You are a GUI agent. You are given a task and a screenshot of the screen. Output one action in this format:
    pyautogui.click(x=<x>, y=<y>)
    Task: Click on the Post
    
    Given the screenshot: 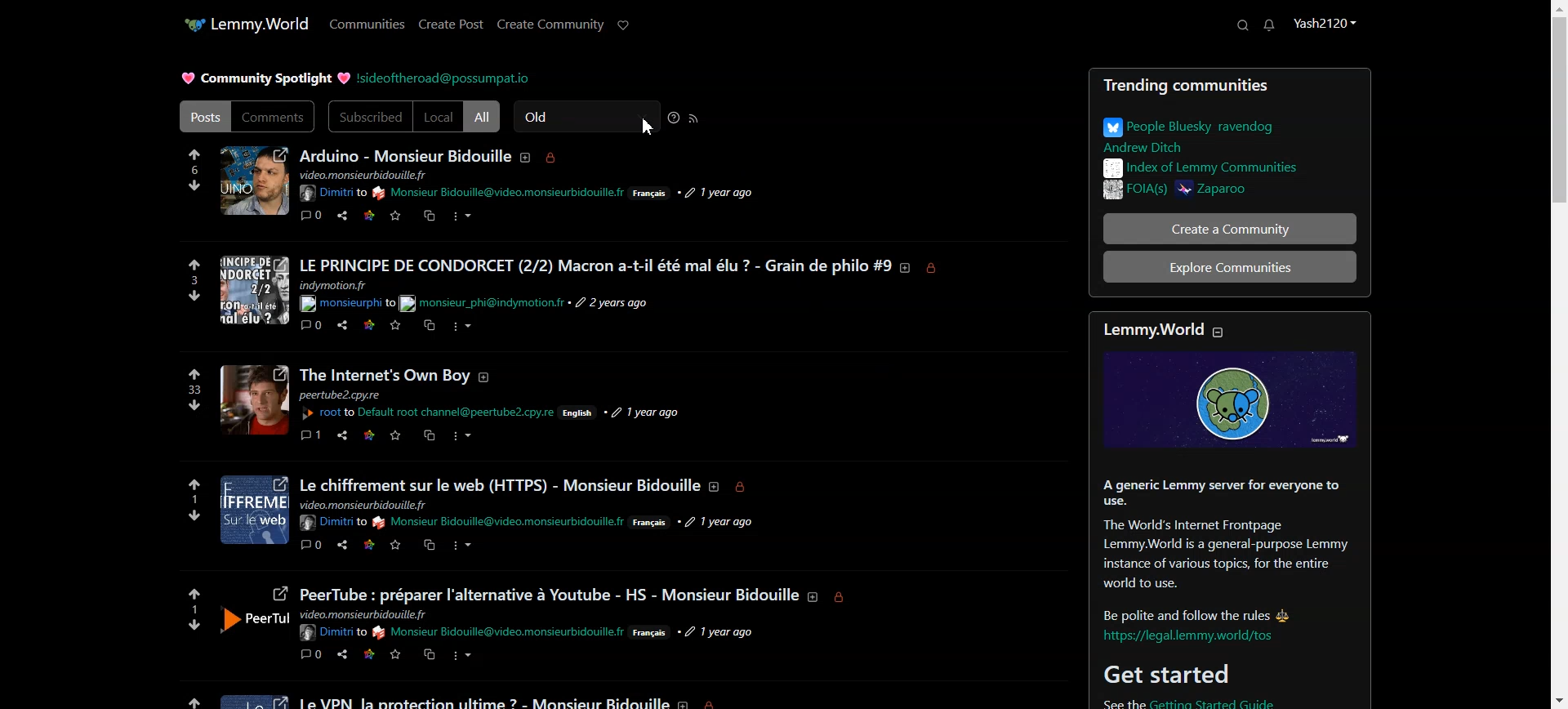 What is the action you would take?
    pyautogui.click(x=203, y=116)
    